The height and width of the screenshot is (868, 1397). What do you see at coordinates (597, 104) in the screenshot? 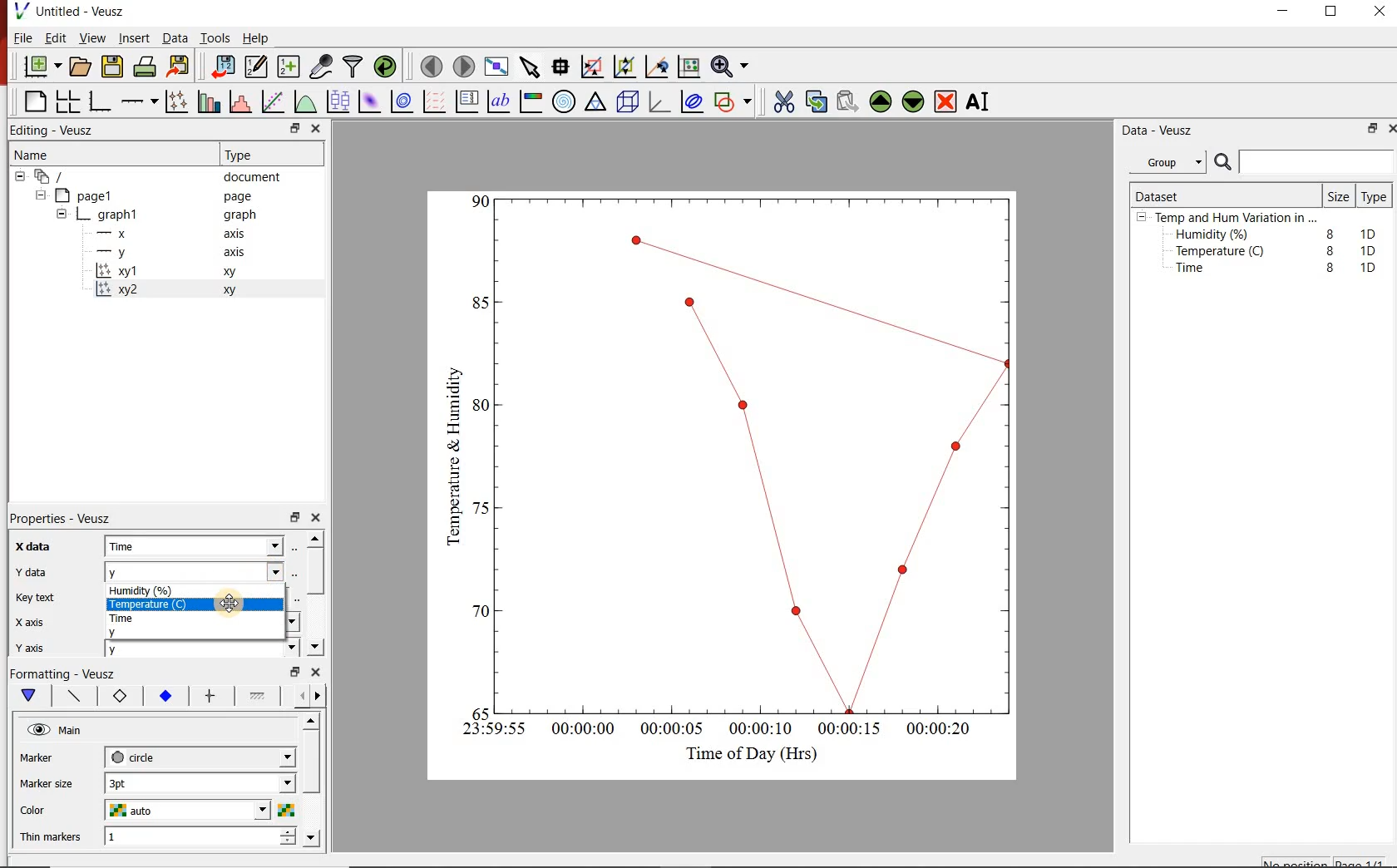
I see `ternary graph` at bounding box center [597, 104].